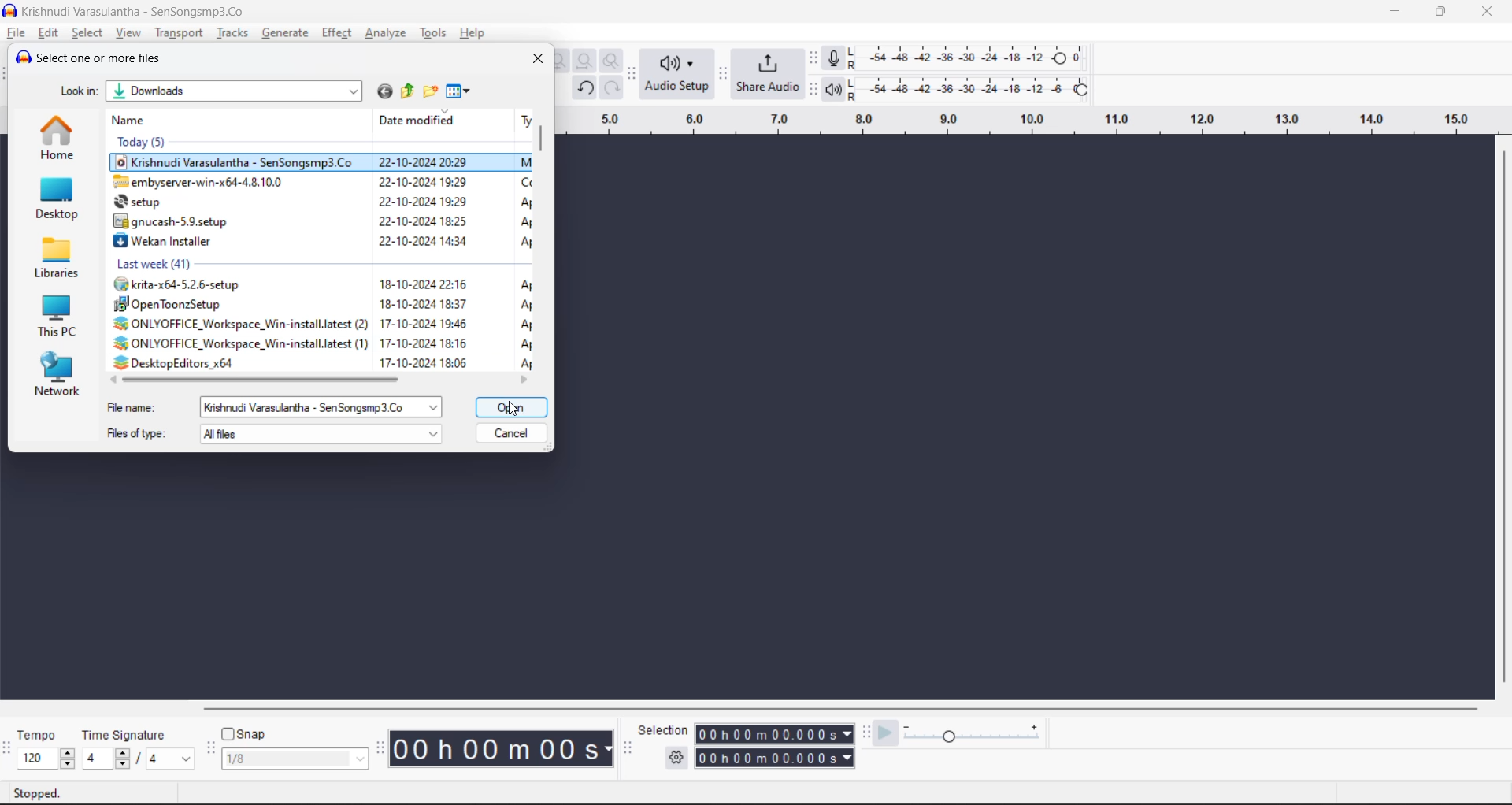 The width and height of the screenshot is (1512, 805). I want to click on audio setup toolbar, so click(632, 75).